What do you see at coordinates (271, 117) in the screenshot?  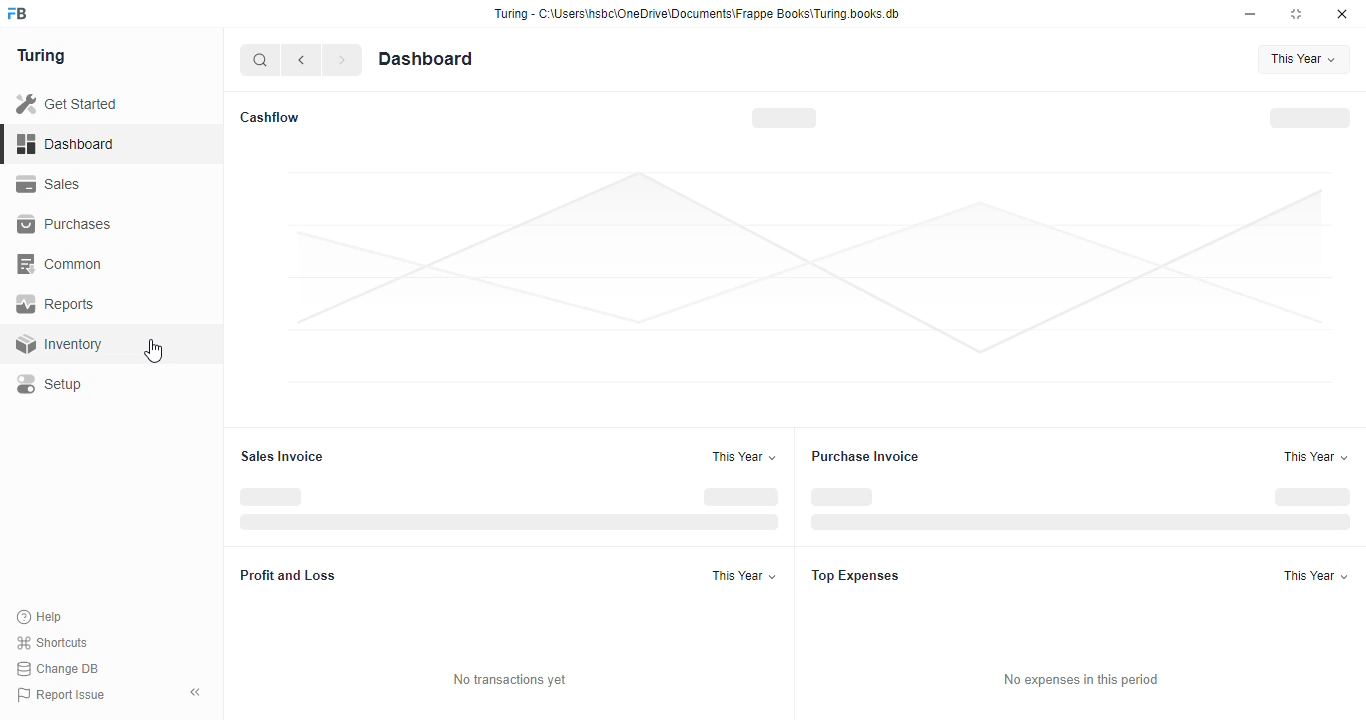 I see `cashflow` at bounding box center [271, 117].